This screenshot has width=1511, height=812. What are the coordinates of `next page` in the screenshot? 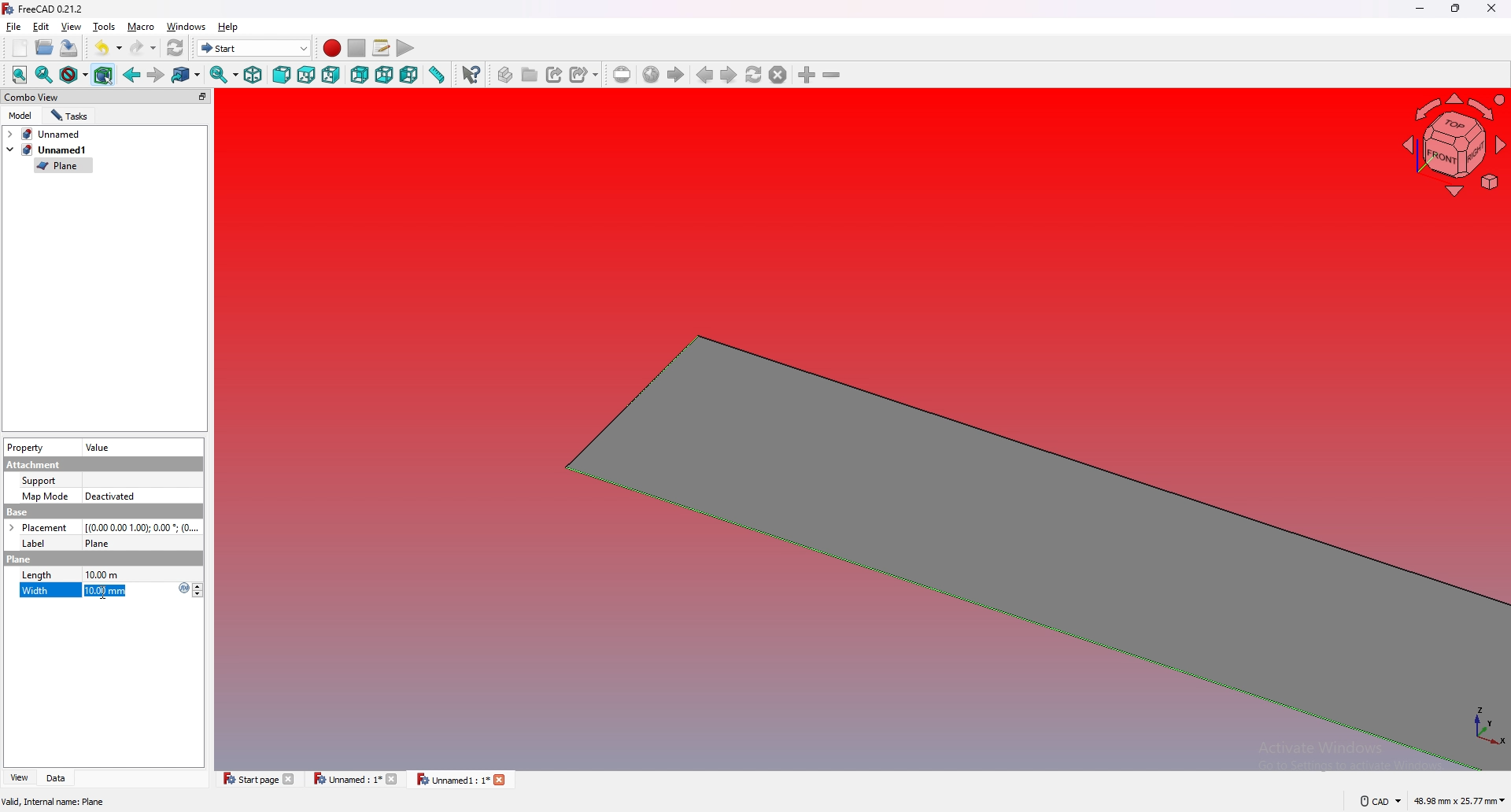 It's located at (730, 76).